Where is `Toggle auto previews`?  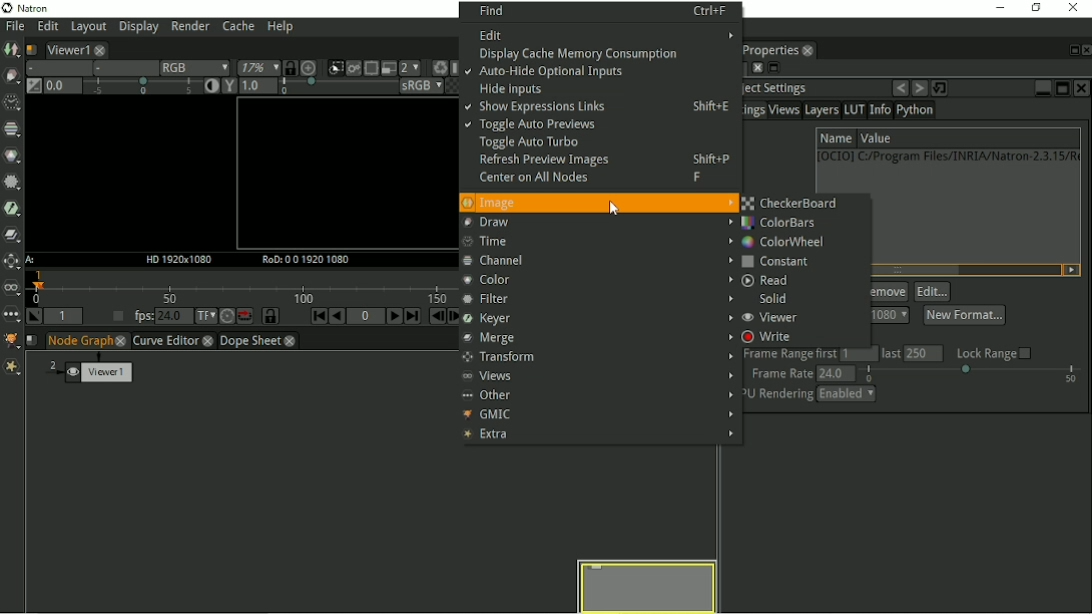 Toggle auto previews is located at coordinates (531, 126).